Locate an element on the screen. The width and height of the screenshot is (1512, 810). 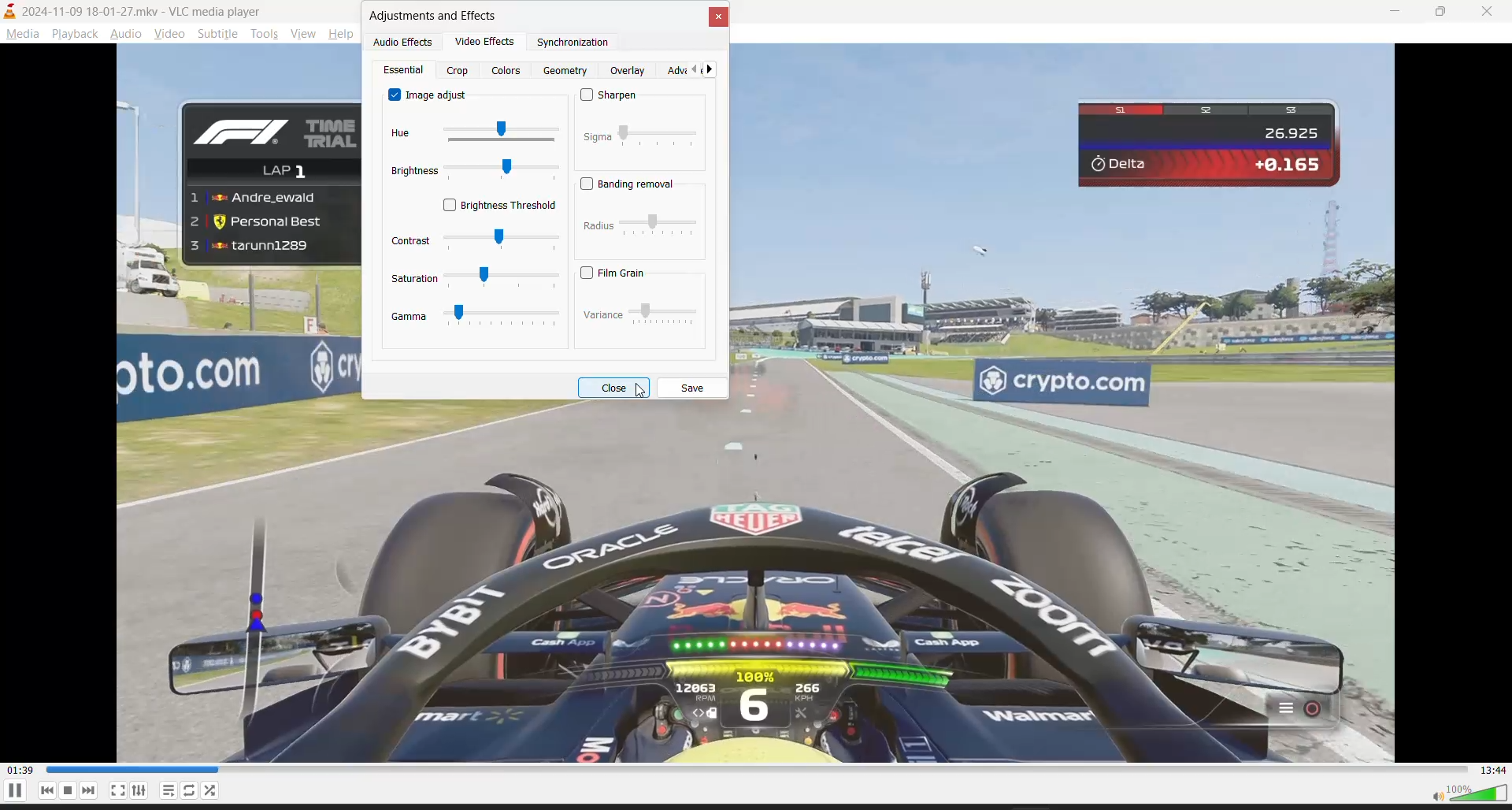
playlist is located at coordinates (169, 790).